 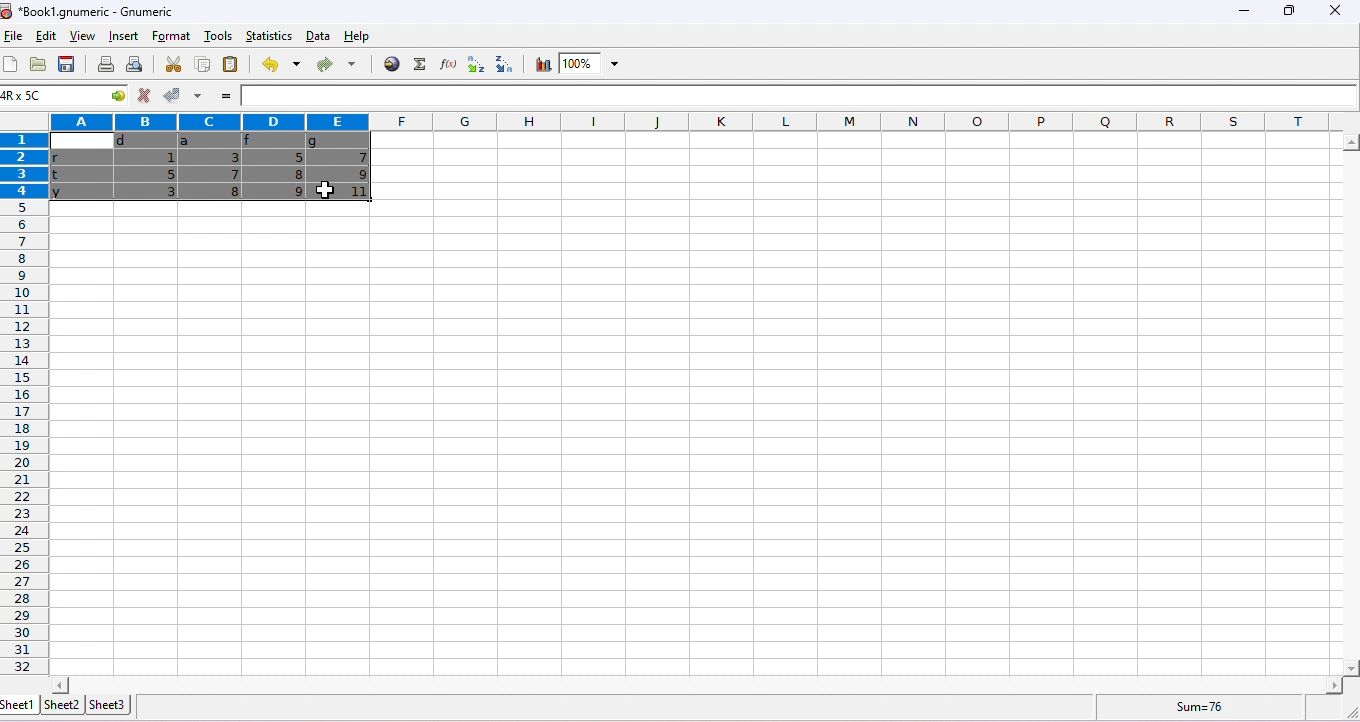 I want to click on Horizontal scrollbar, so click(x=697, y=684).